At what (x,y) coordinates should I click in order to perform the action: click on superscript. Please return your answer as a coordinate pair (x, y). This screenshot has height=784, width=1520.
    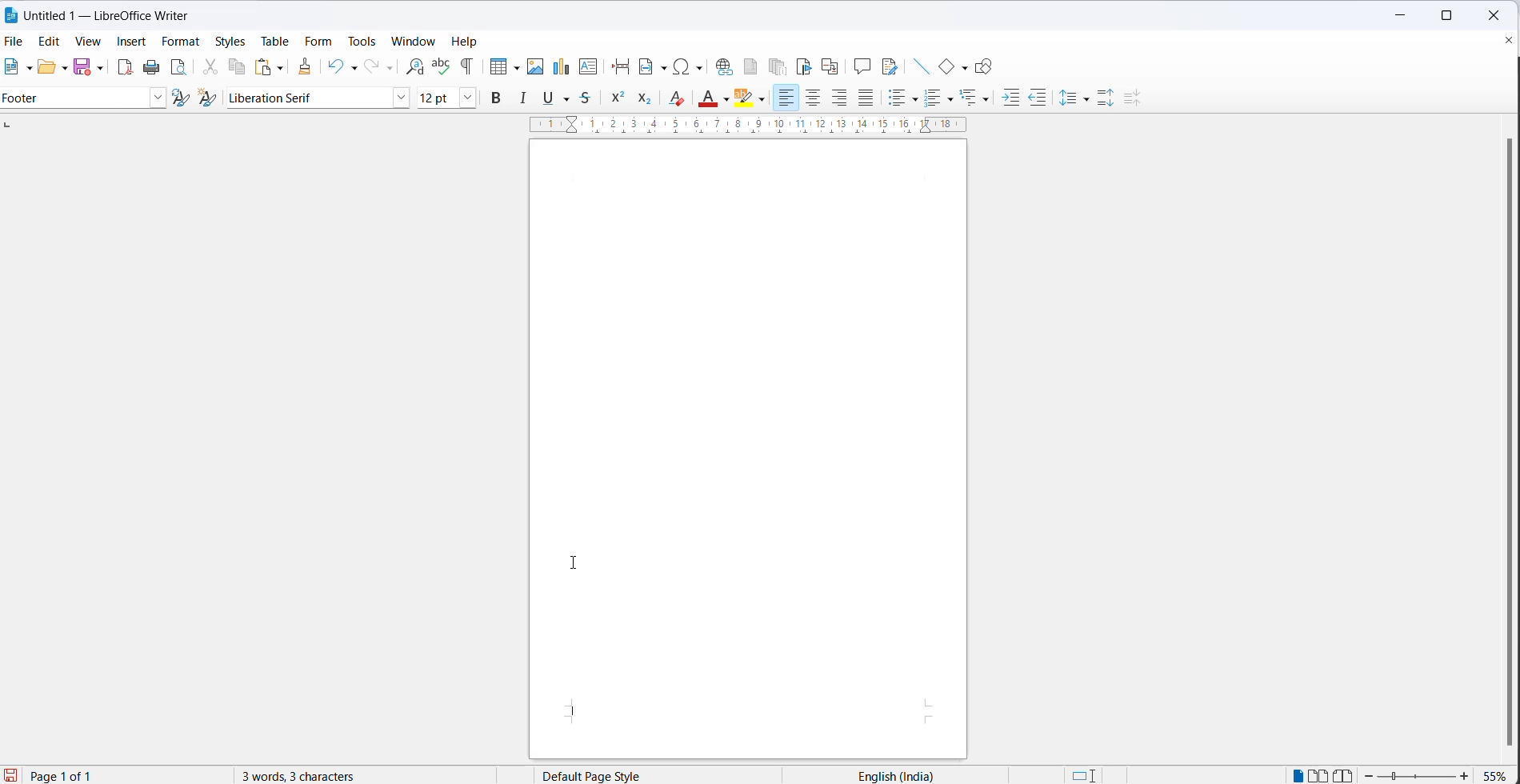
    Looking at the image, I should click on (619, 98).